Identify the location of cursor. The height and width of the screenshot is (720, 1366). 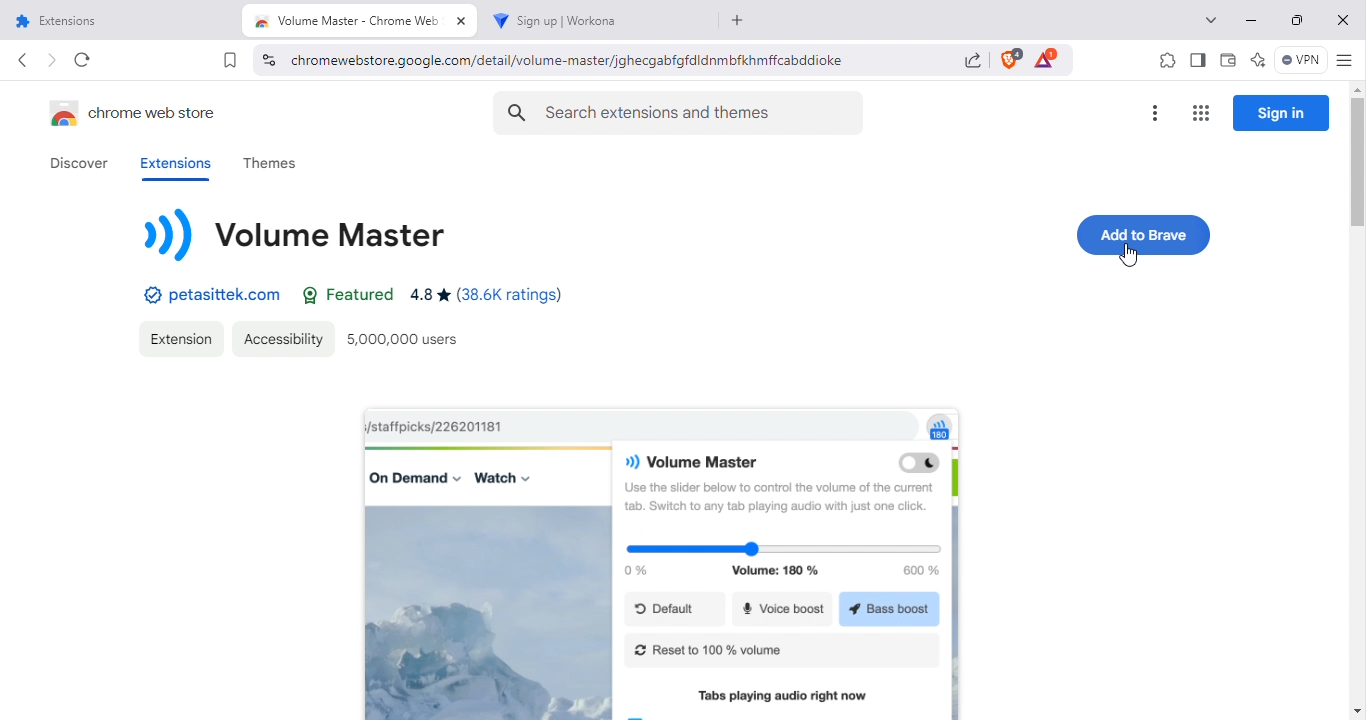
(1130, 255).